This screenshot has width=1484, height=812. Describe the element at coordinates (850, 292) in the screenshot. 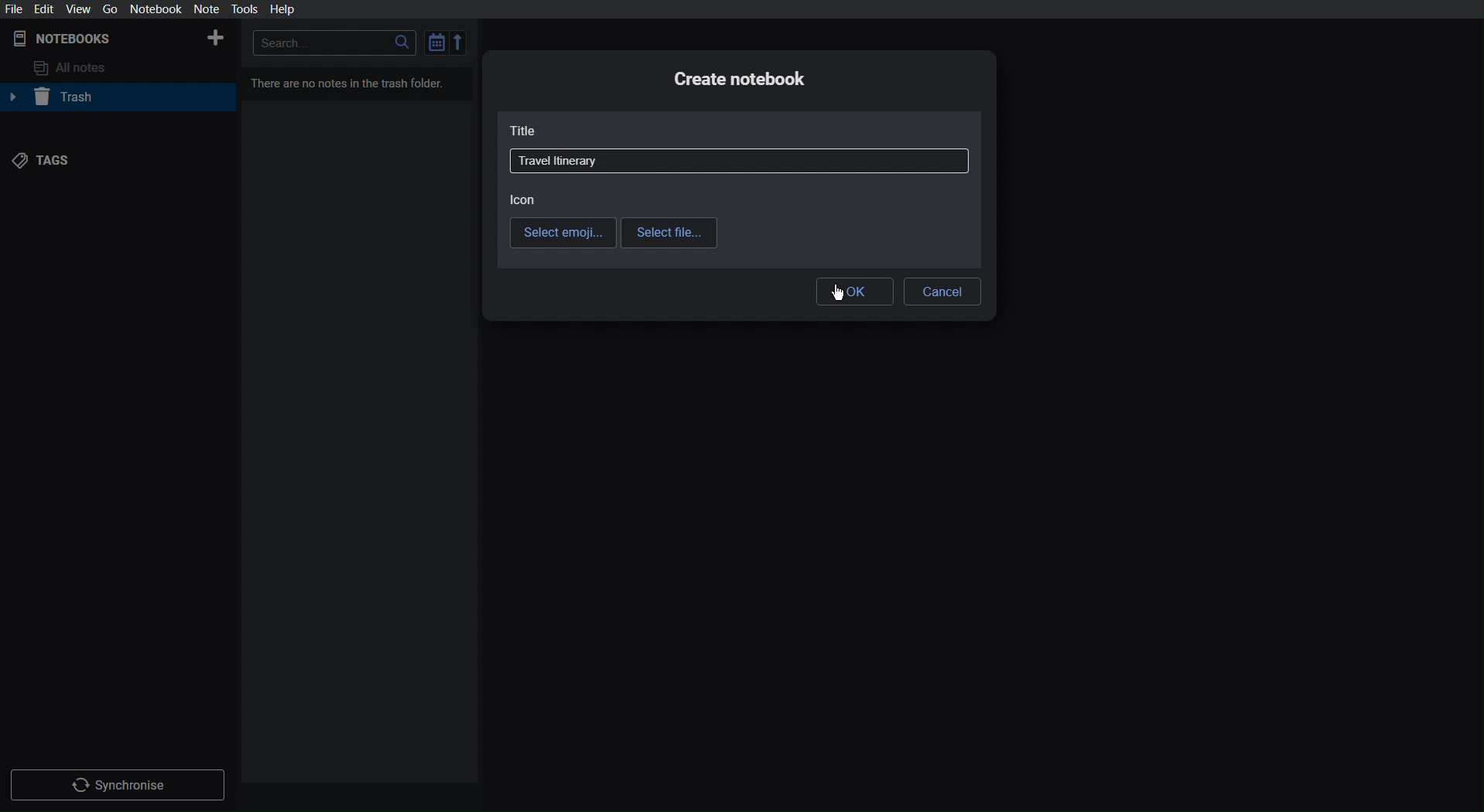

I see `OK` at that location.